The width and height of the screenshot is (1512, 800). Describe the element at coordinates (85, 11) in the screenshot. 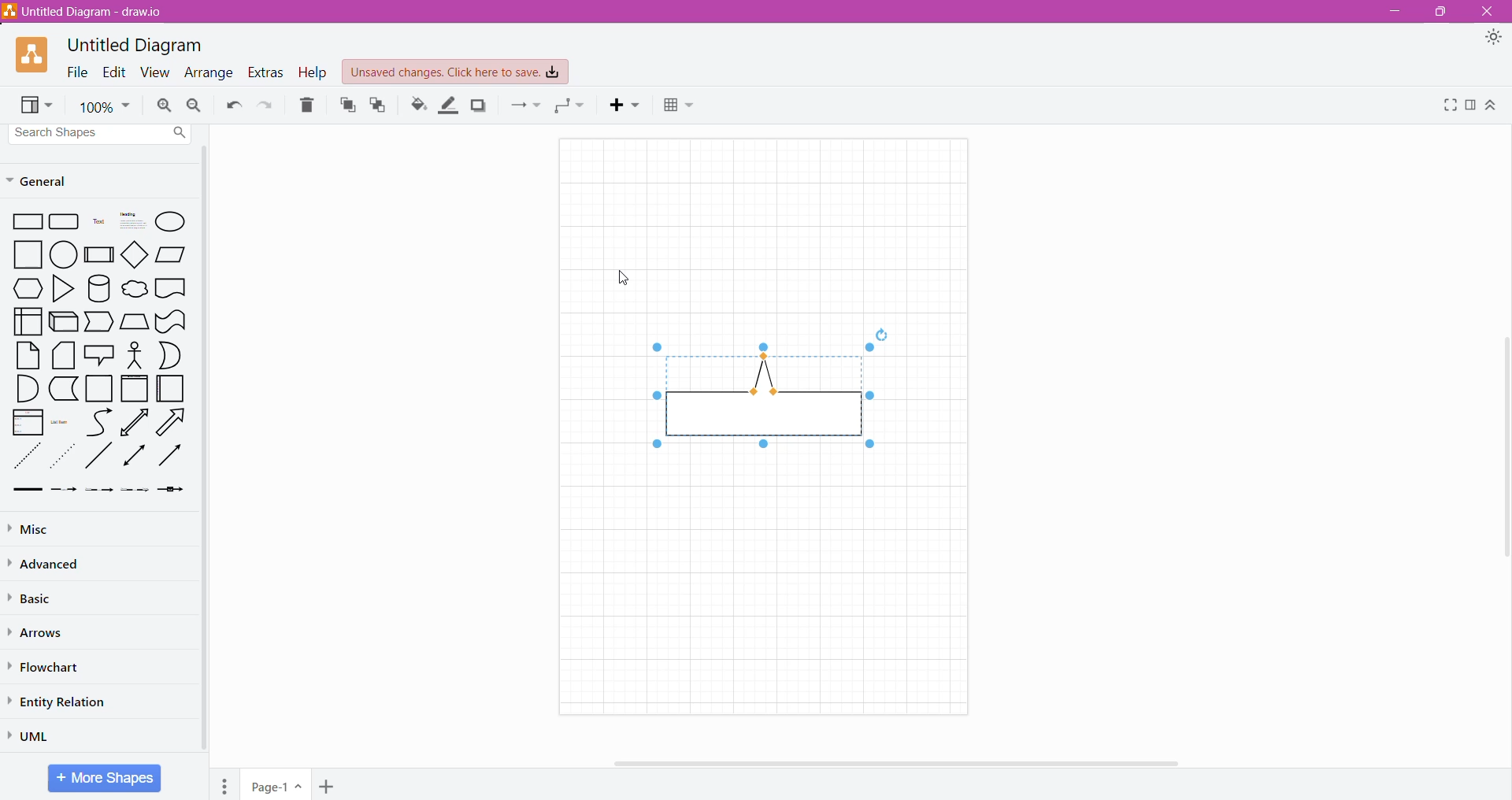

I see `Diagram Name - Application Name` at that location.